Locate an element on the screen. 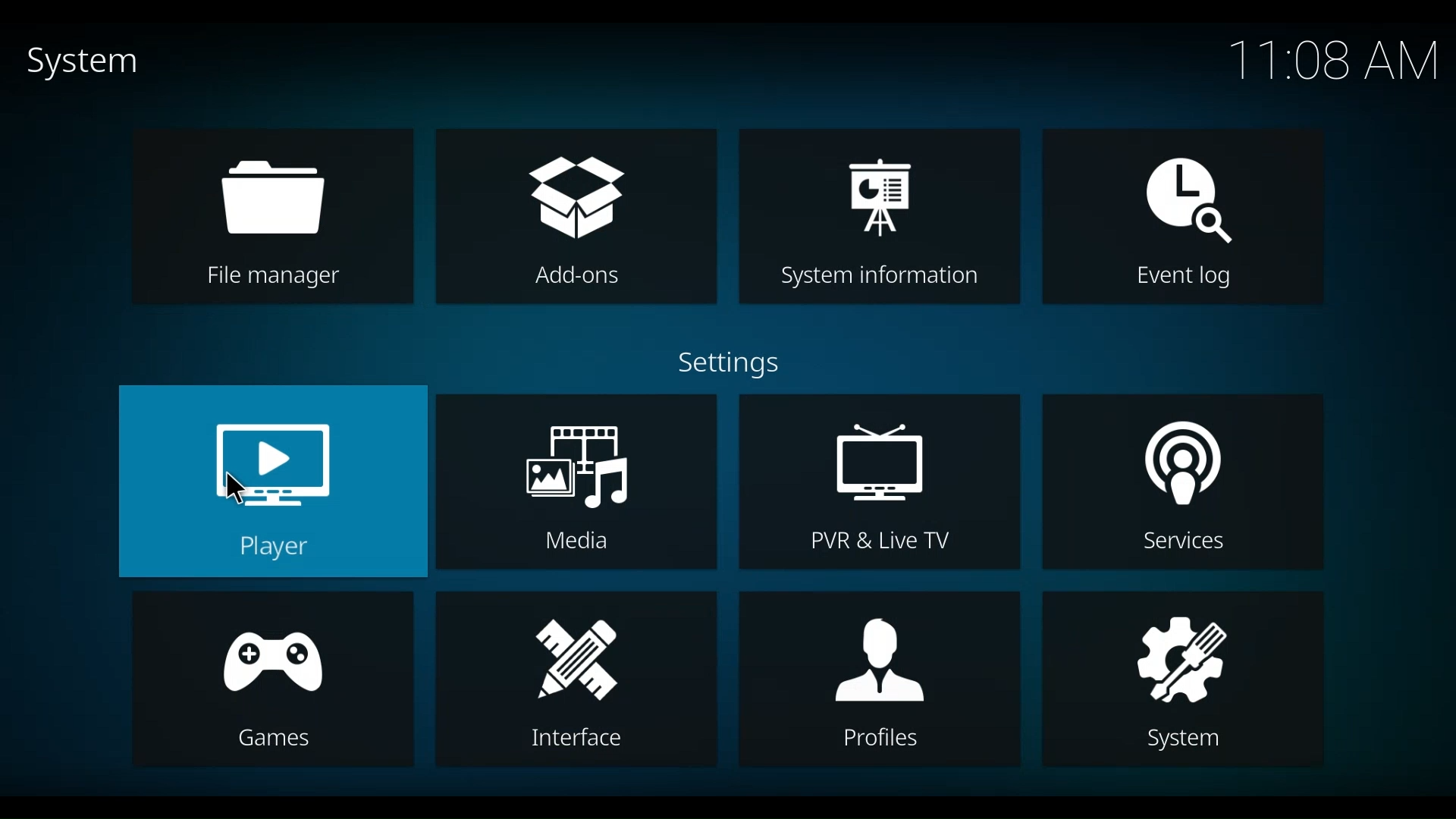  time is located at coordinates (1330, 61).